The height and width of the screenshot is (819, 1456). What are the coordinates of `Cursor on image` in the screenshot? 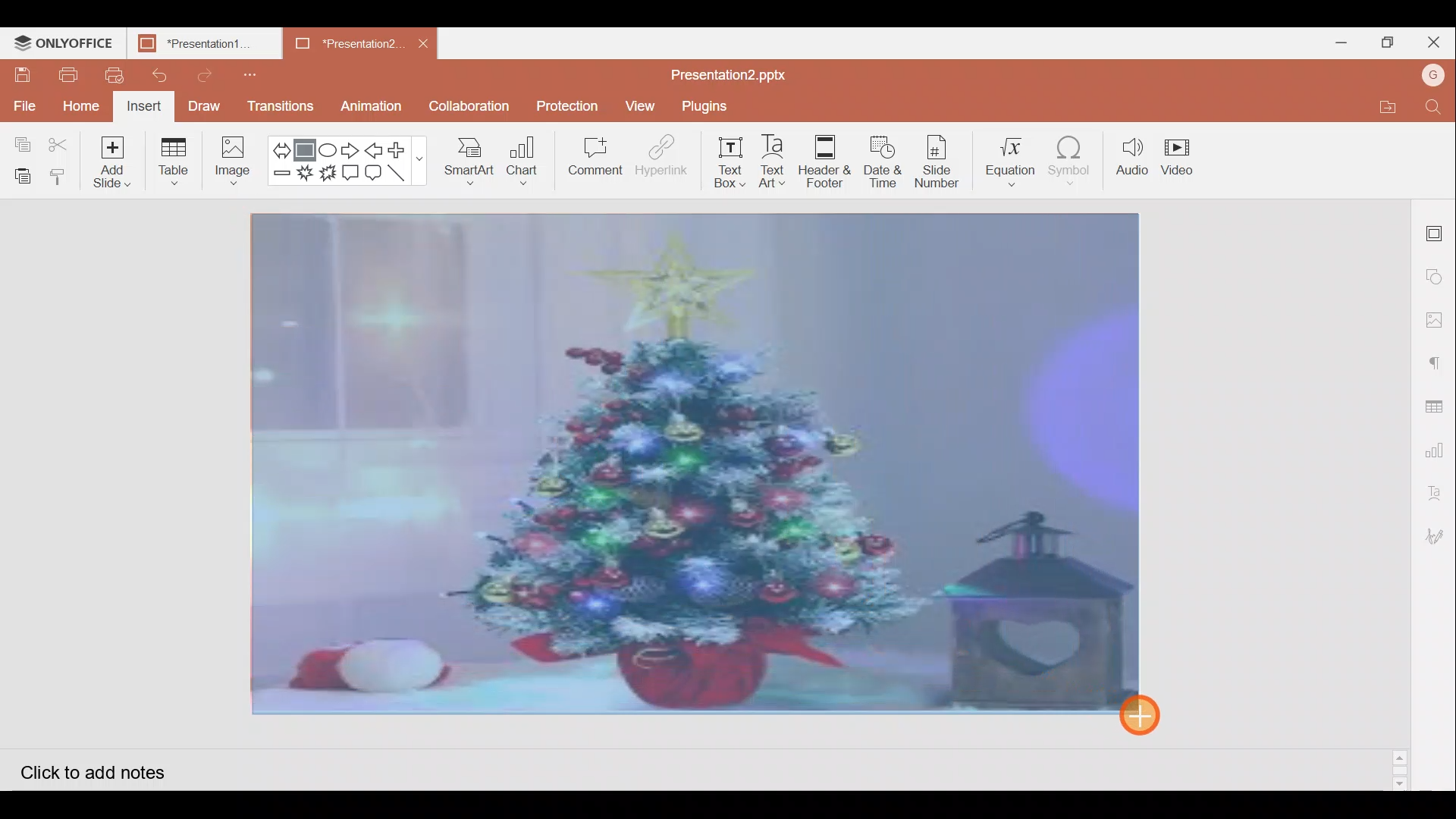 It's located at (1150, 714).